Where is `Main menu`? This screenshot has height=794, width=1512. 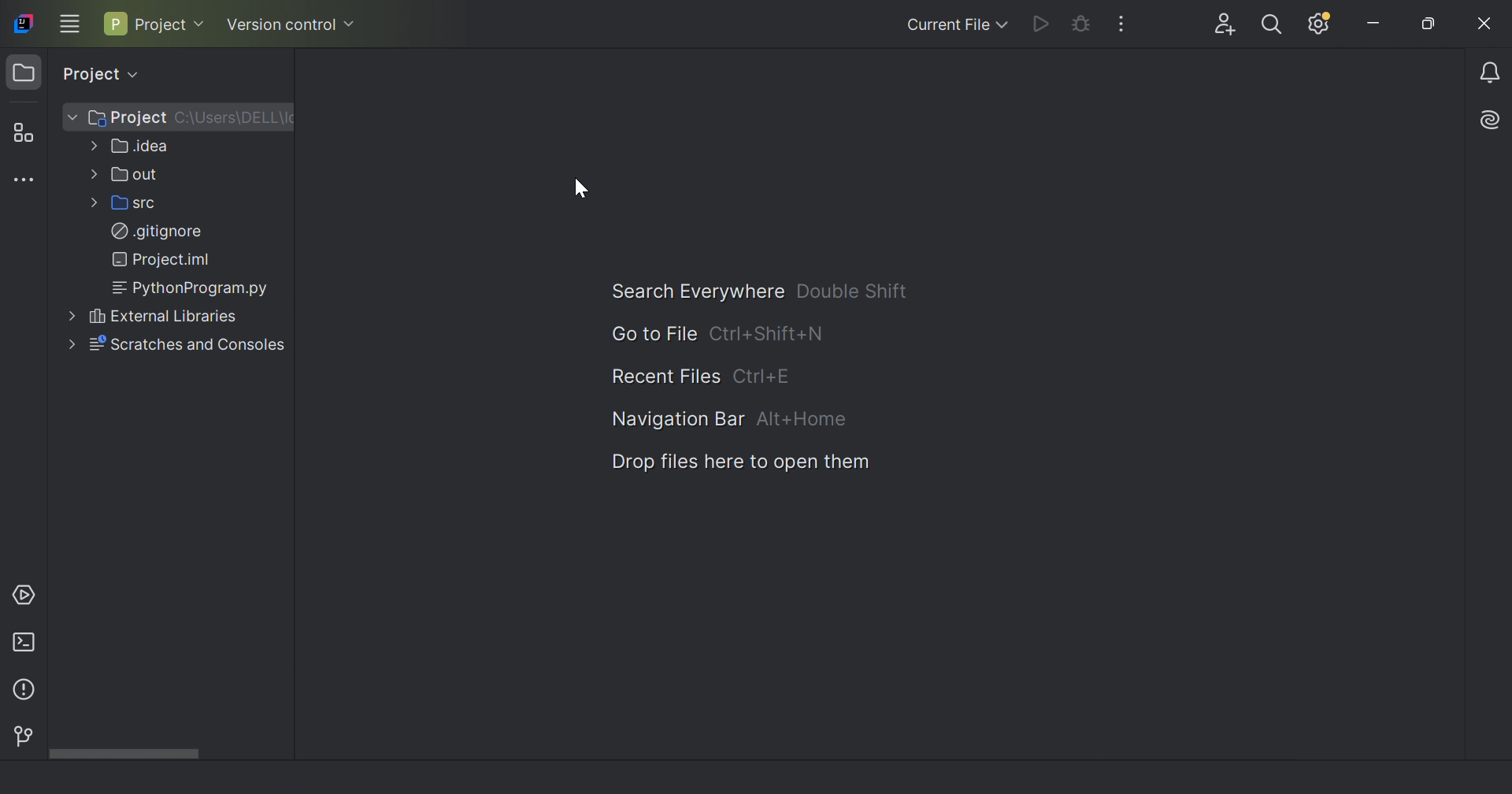
Main menu is located at coordinates (70, 23).